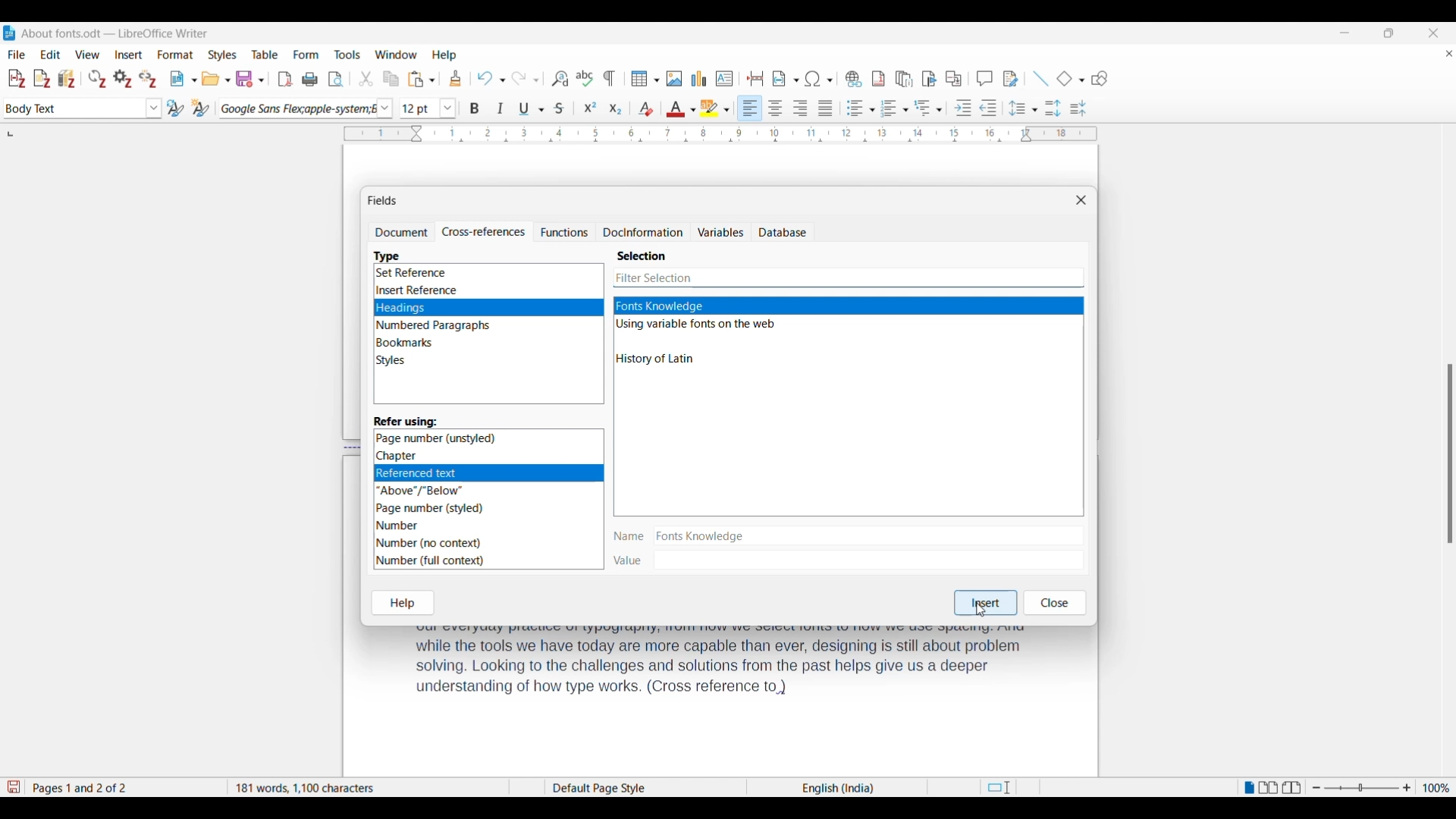 This screenshot has width=1456, height=819. I want to click on Open options, so click(216, 79).